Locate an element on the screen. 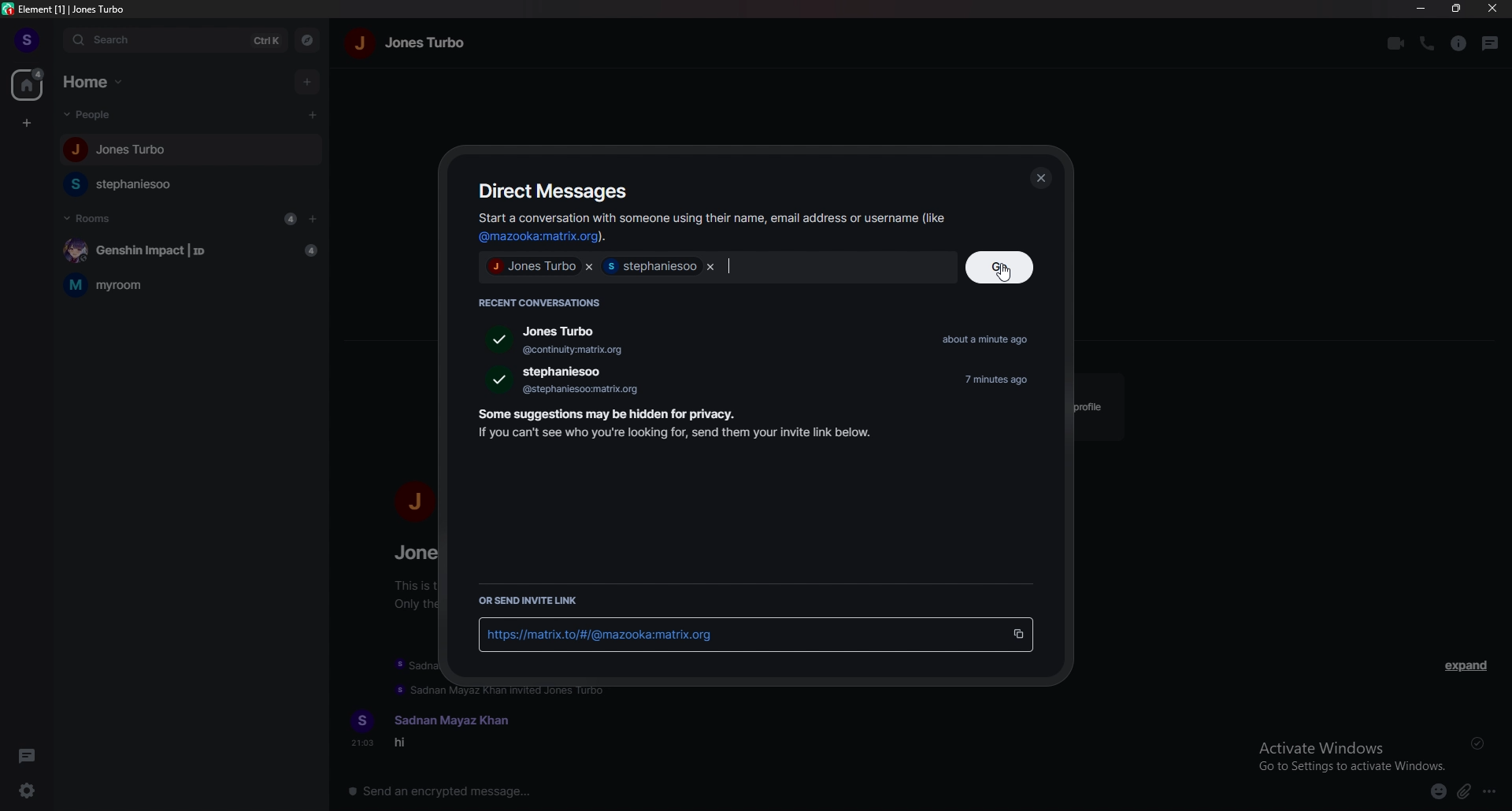  7 minutes ago is located at coordinates (1003, 380).